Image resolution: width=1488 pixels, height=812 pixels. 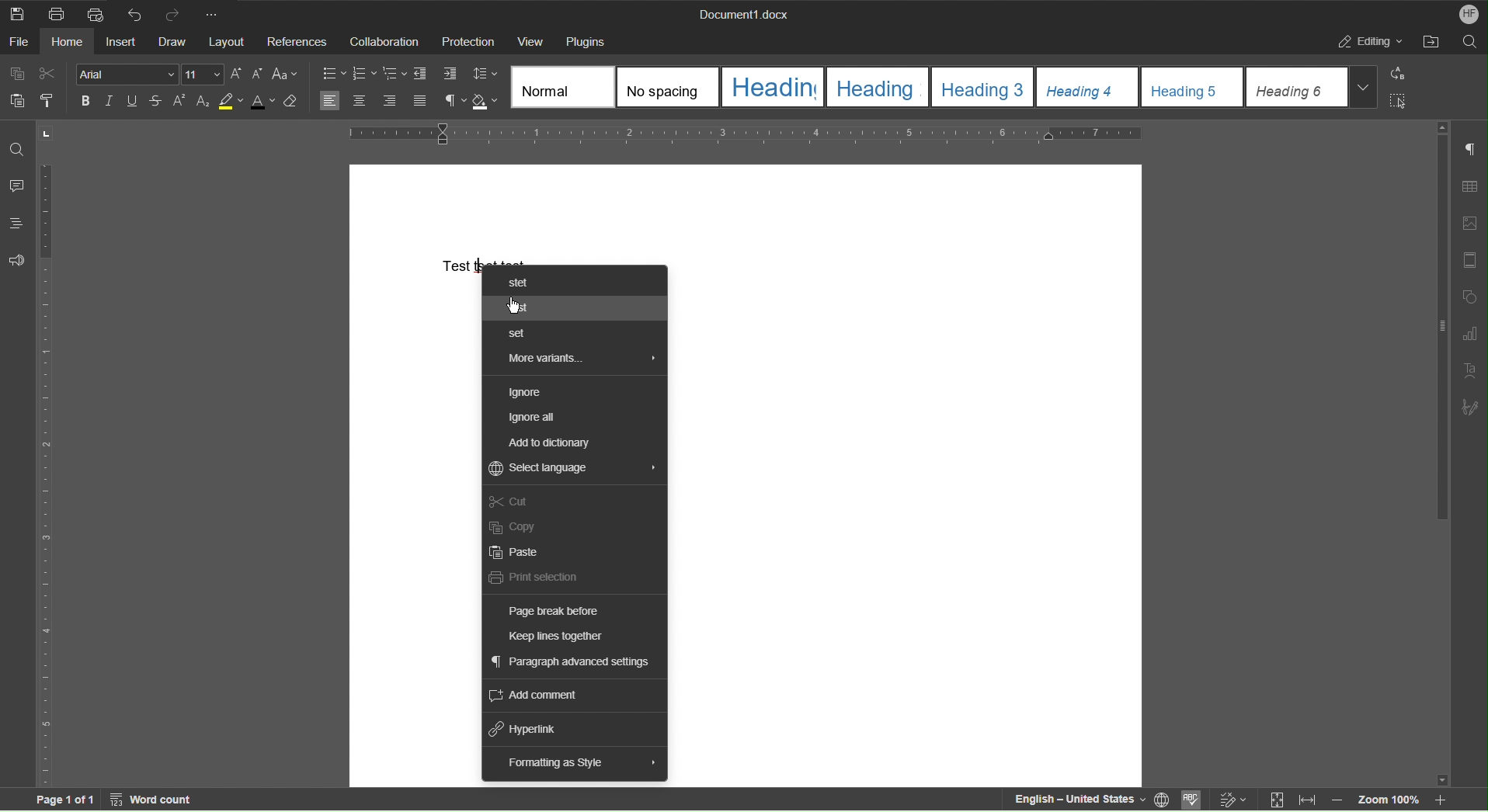 I want to click on Heading 6, so click(x=1312, y=87).